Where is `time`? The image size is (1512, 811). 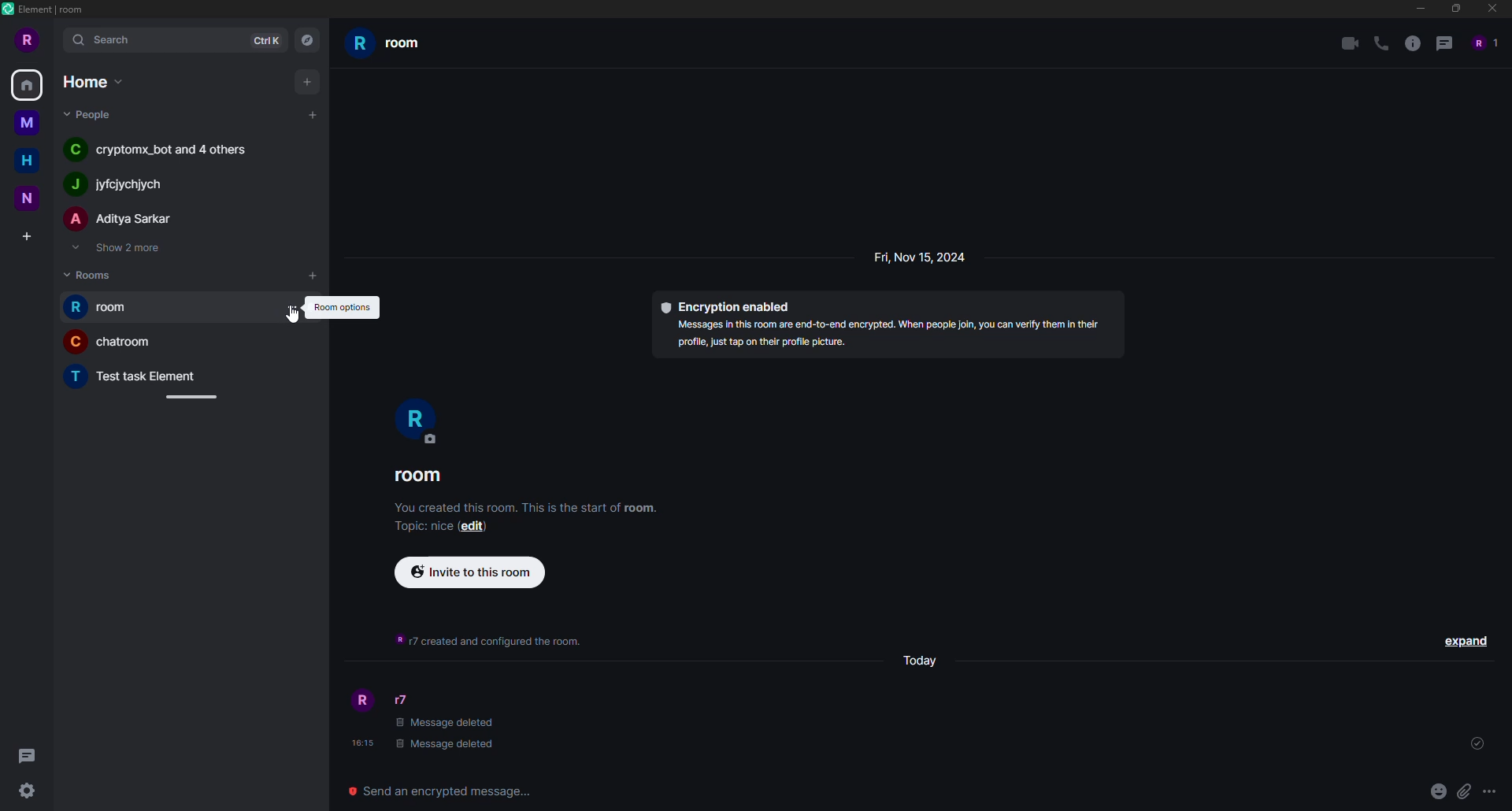 time is located at coordinates (360, 743).